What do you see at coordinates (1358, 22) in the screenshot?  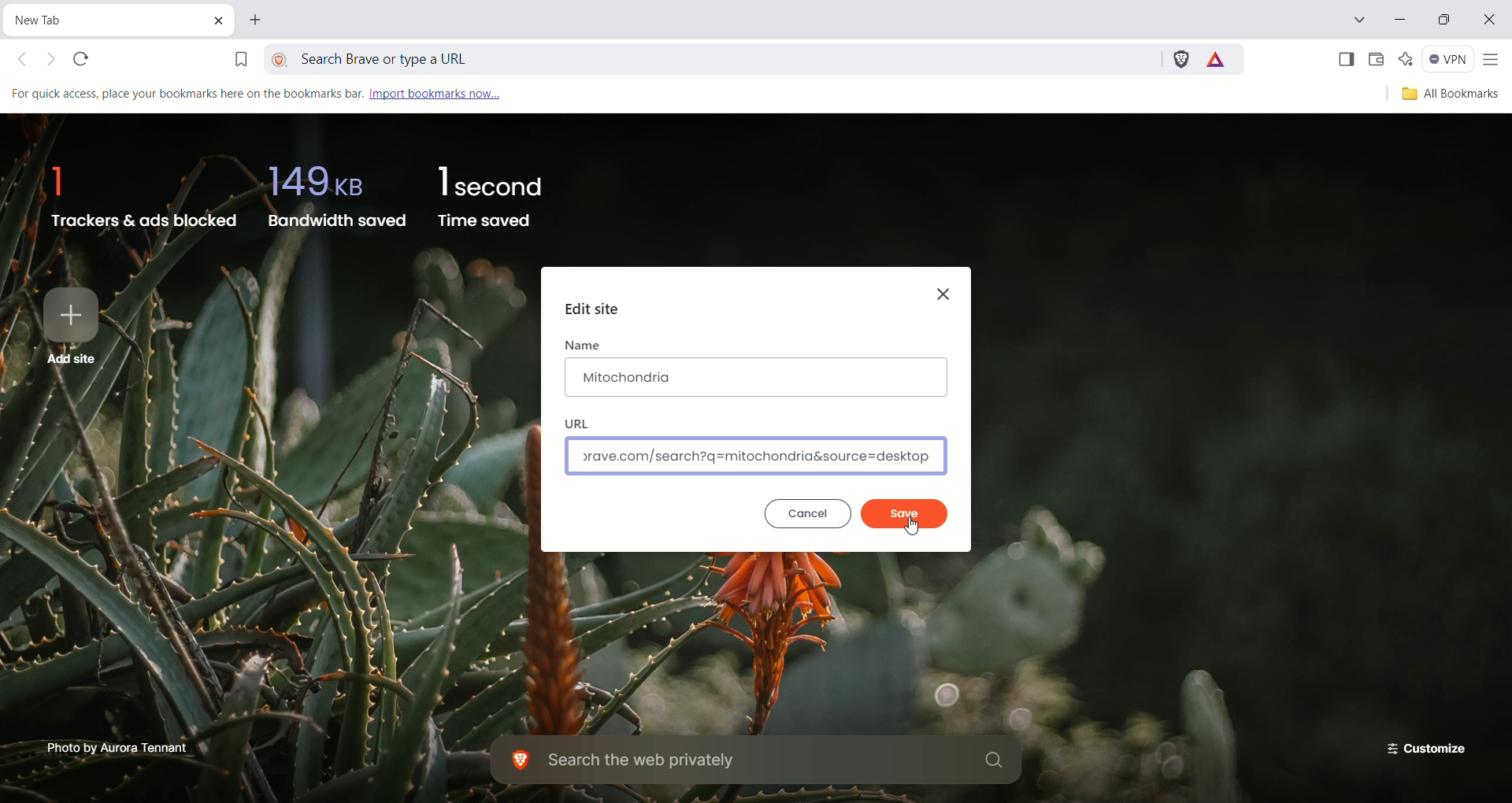 I see `search tabs` at bounding box center [1358, 22].